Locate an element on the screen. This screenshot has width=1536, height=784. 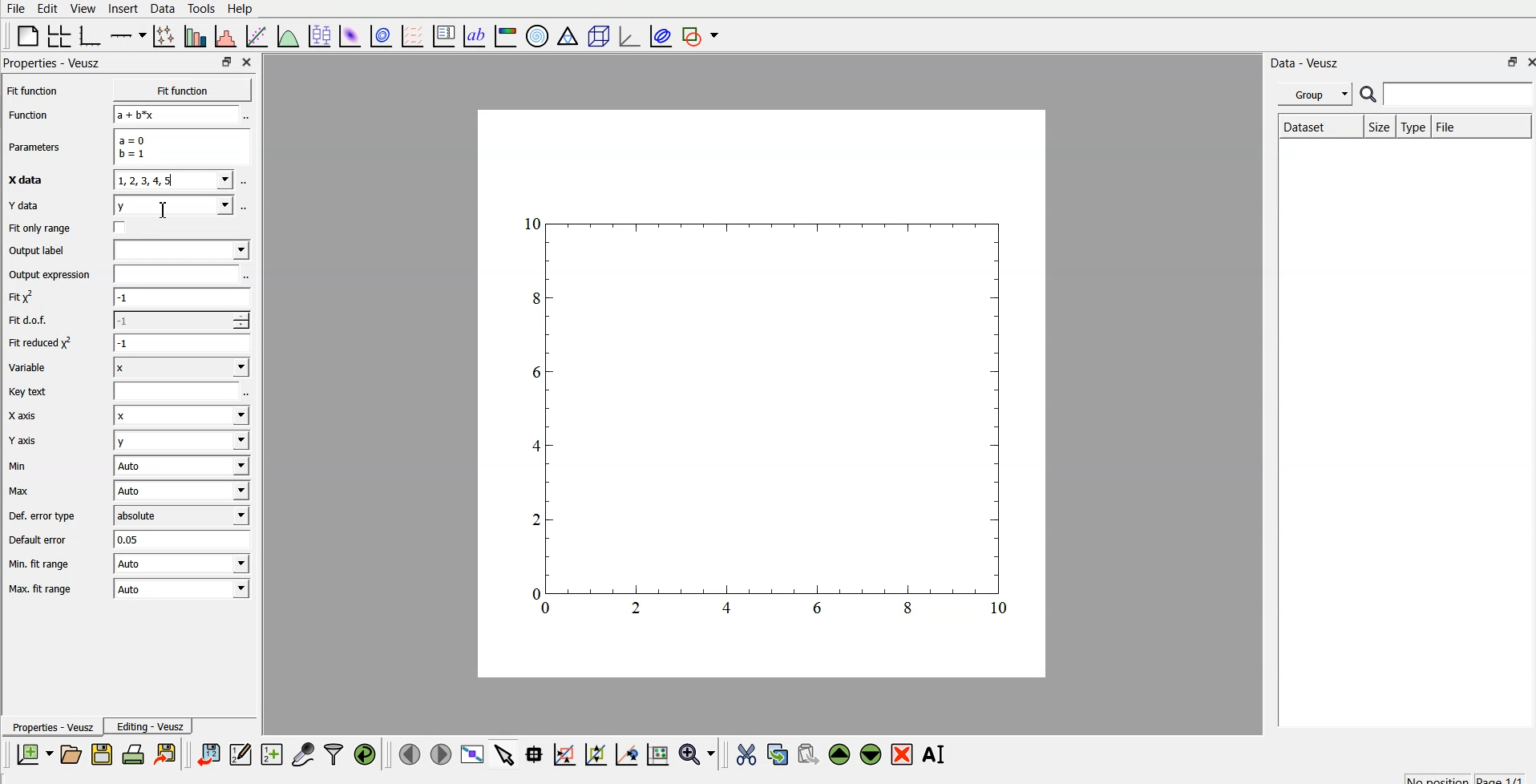
input label is located at coordinates (182, 249).